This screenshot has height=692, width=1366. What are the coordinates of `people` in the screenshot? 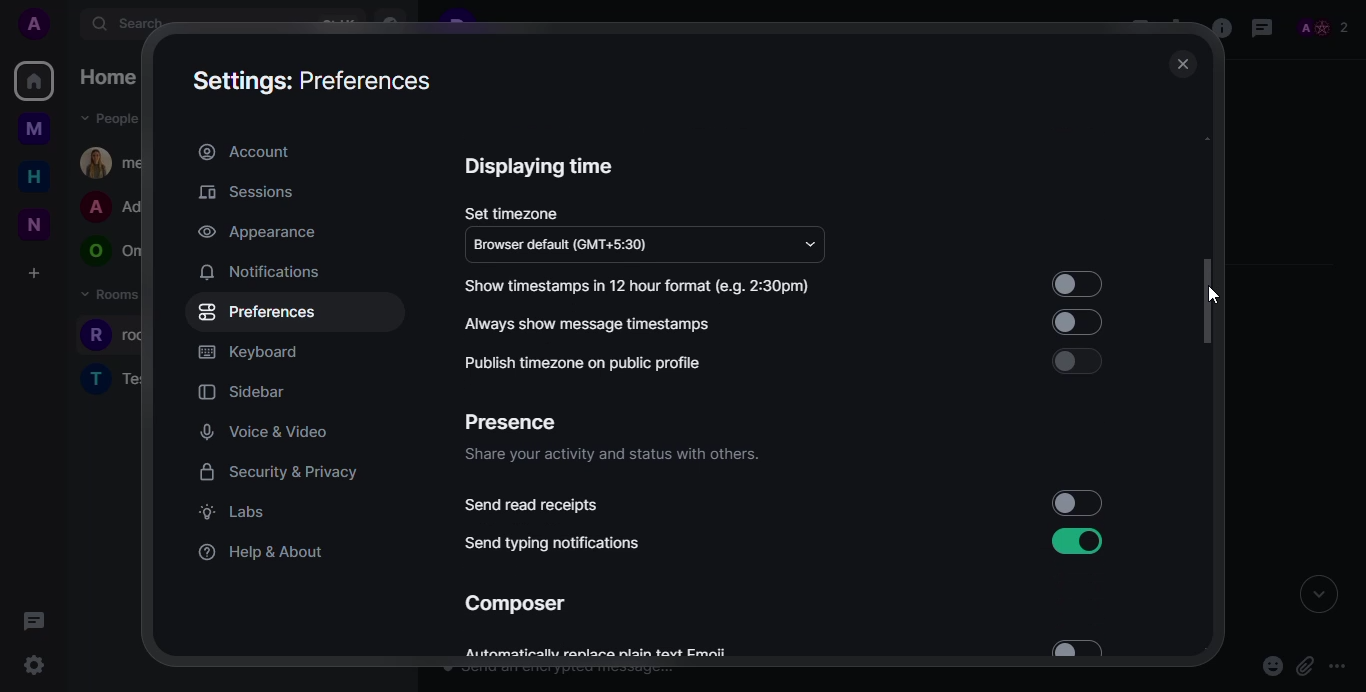 It's located at (1322, 25).